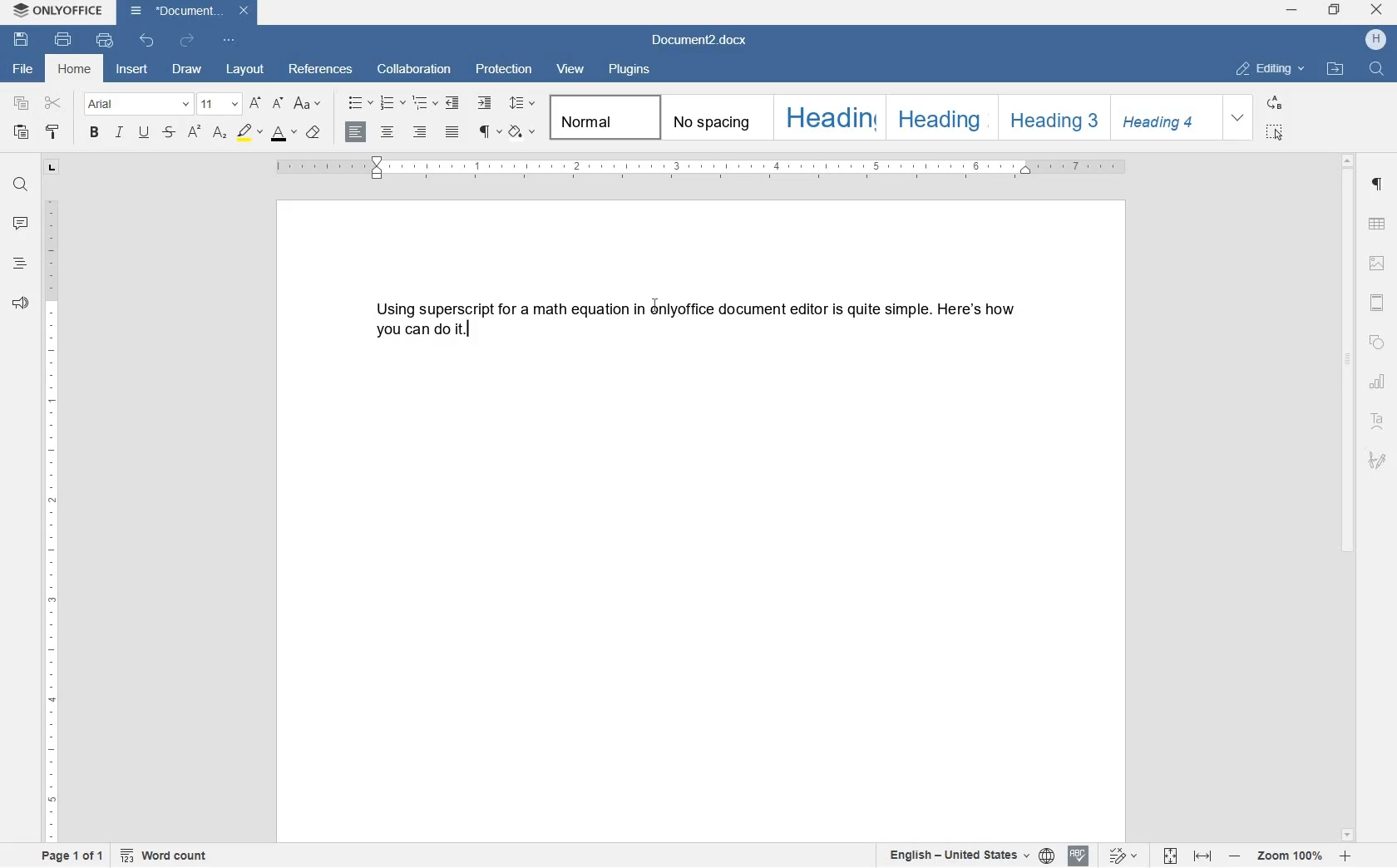 The image size is (1397, 868). I want to click on FIND, so click(1375, 69).